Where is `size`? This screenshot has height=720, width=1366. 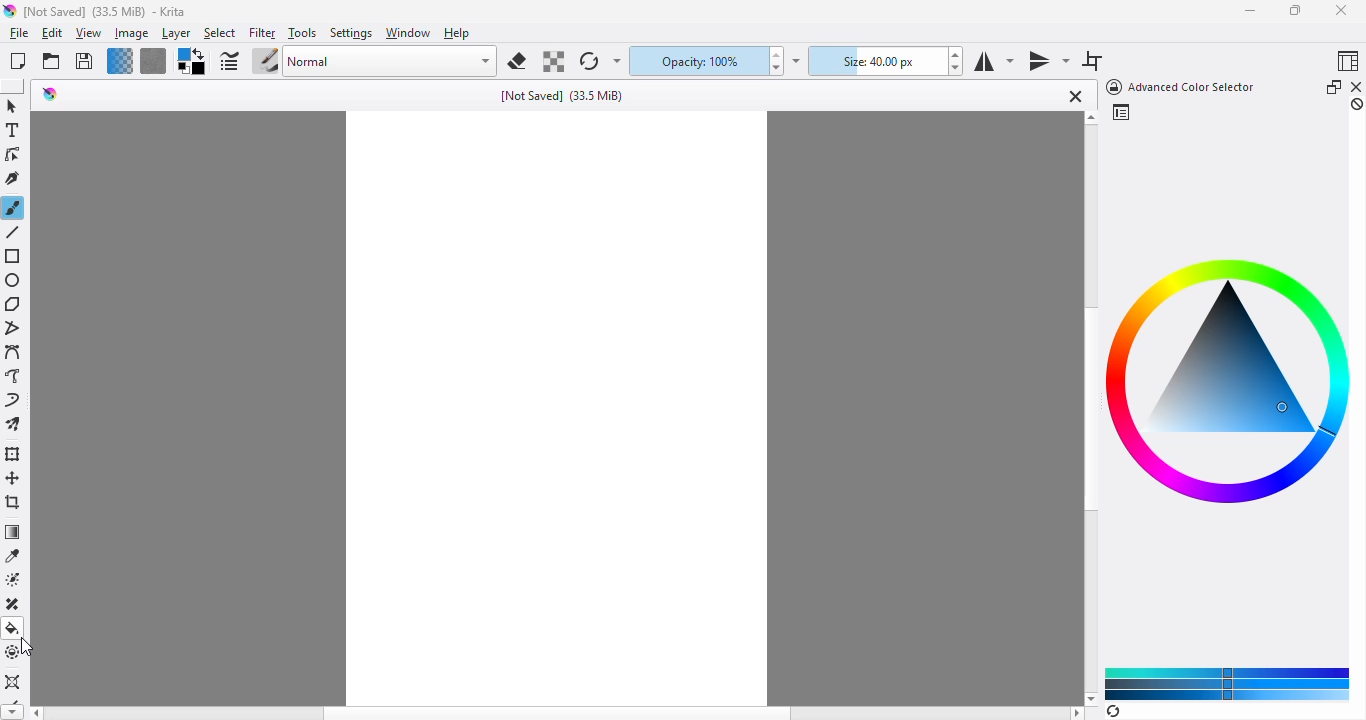
size is located at coordinates (875, 61).